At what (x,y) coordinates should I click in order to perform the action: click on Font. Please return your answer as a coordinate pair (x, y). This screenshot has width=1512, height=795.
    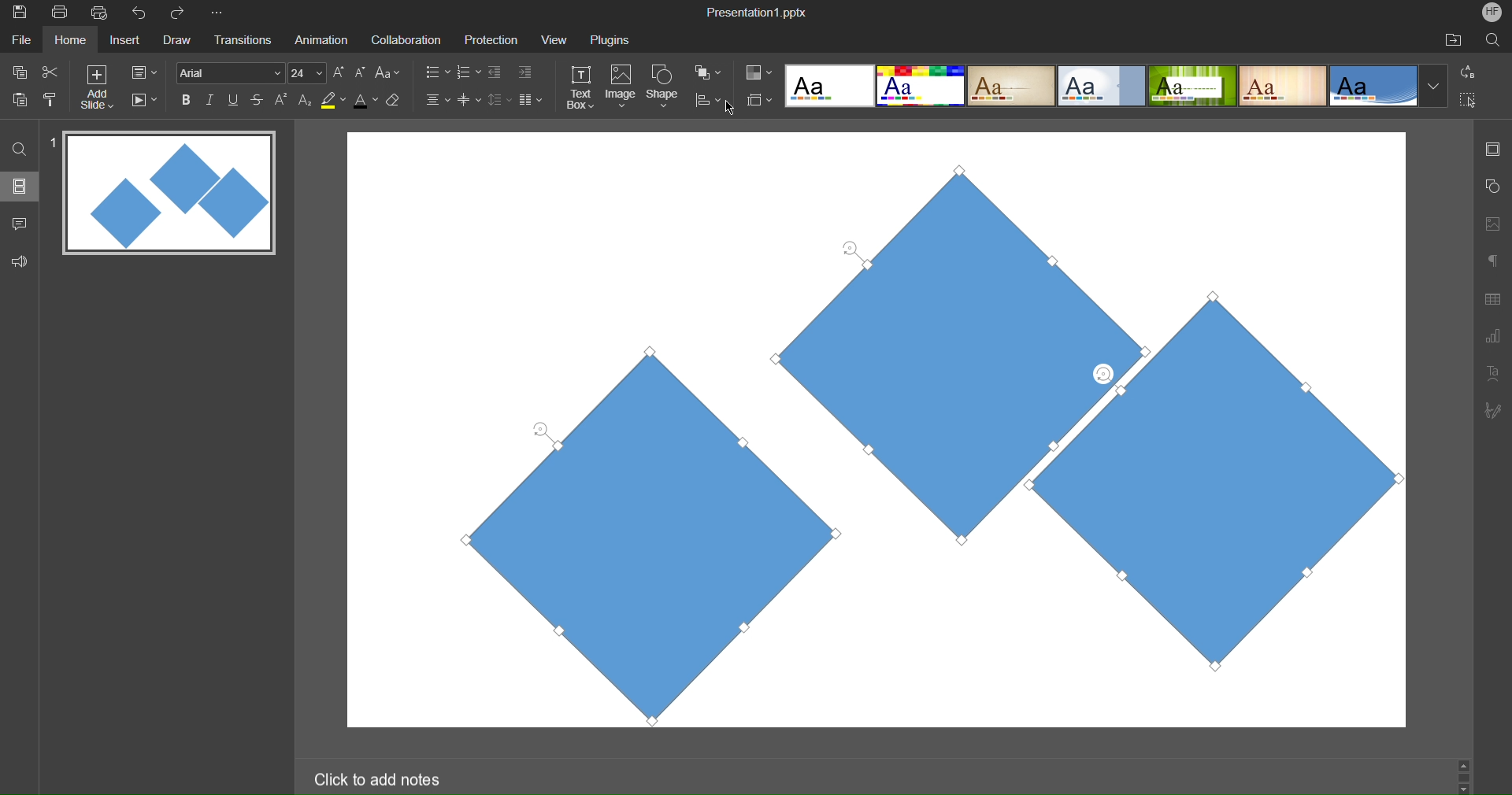
    Looking at the image, I should click on (228, 72).